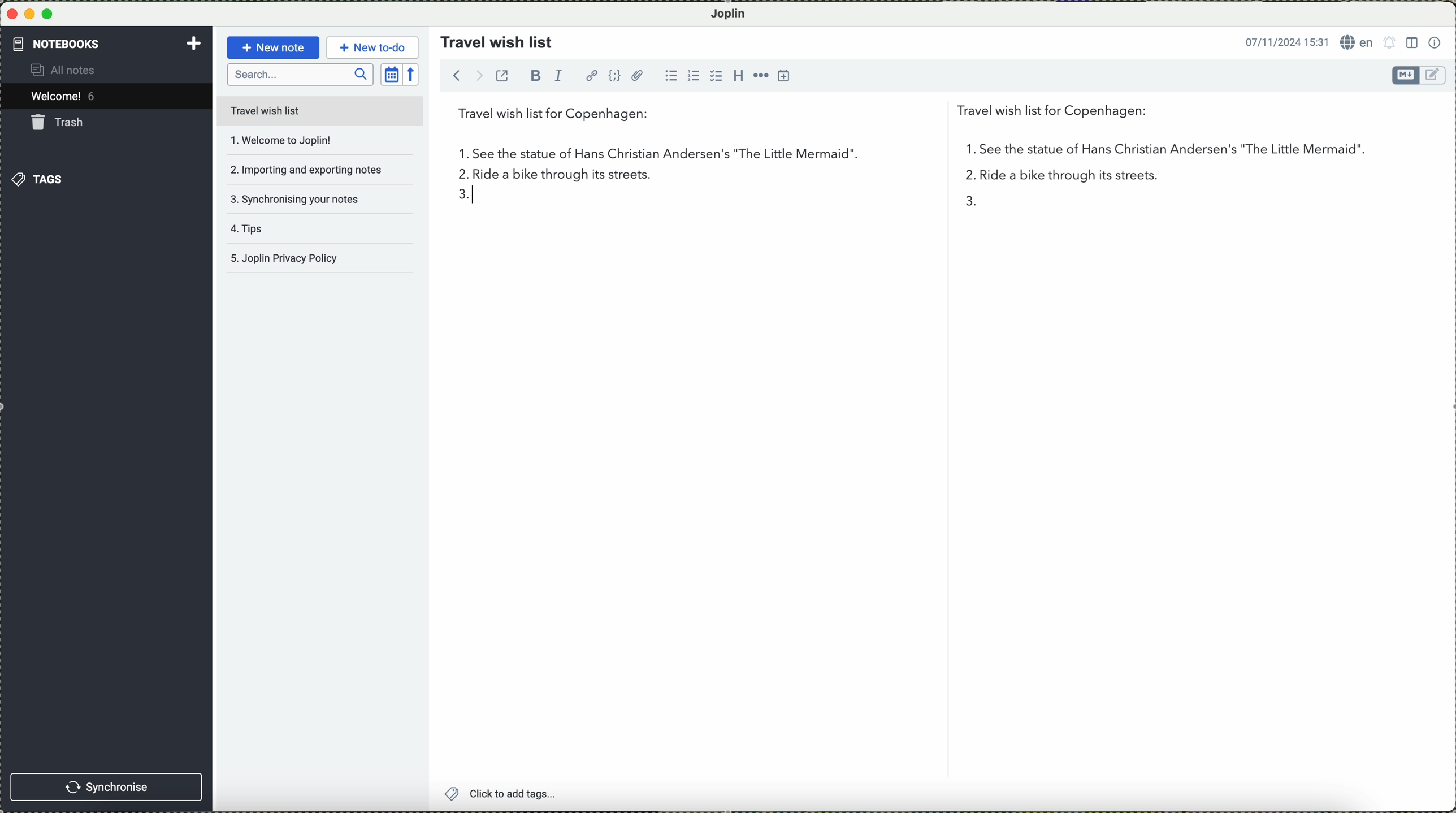  I want to click on 2., so click(458, 178).